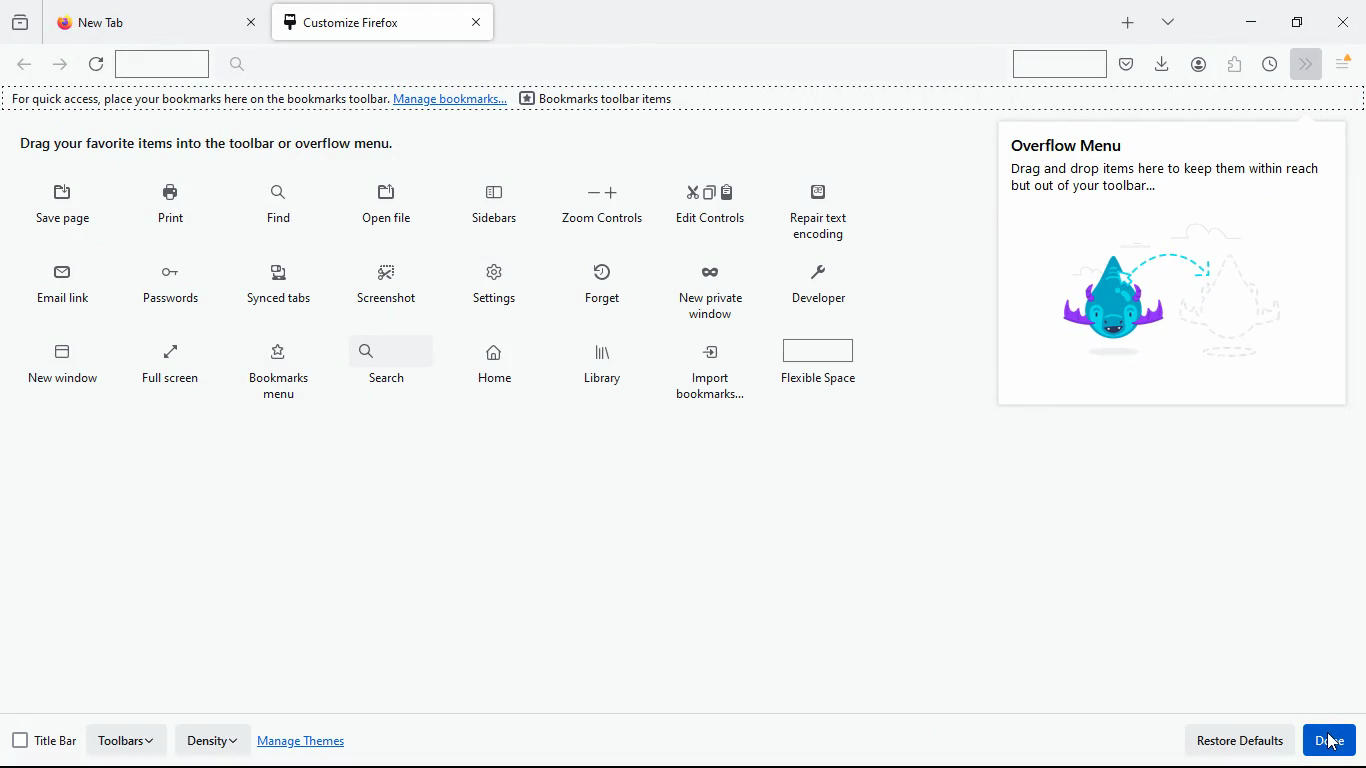 The height and width of the screenshot is (768, 1366). Describe the element at coordinates (710, 289) in the screenshot. I see `forget` at that location.